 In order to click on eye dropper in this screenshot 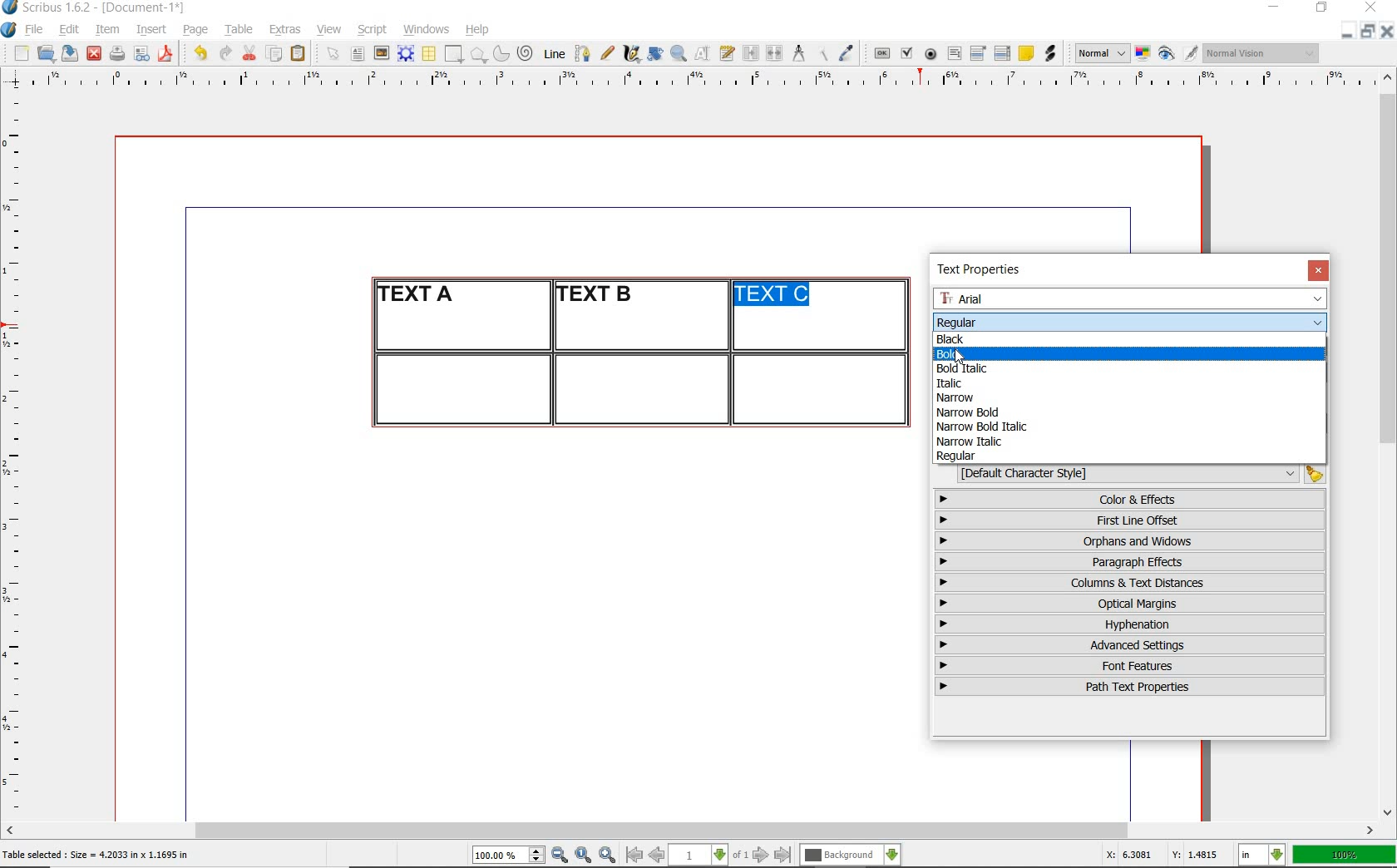, I will do `click(846, 55)`.